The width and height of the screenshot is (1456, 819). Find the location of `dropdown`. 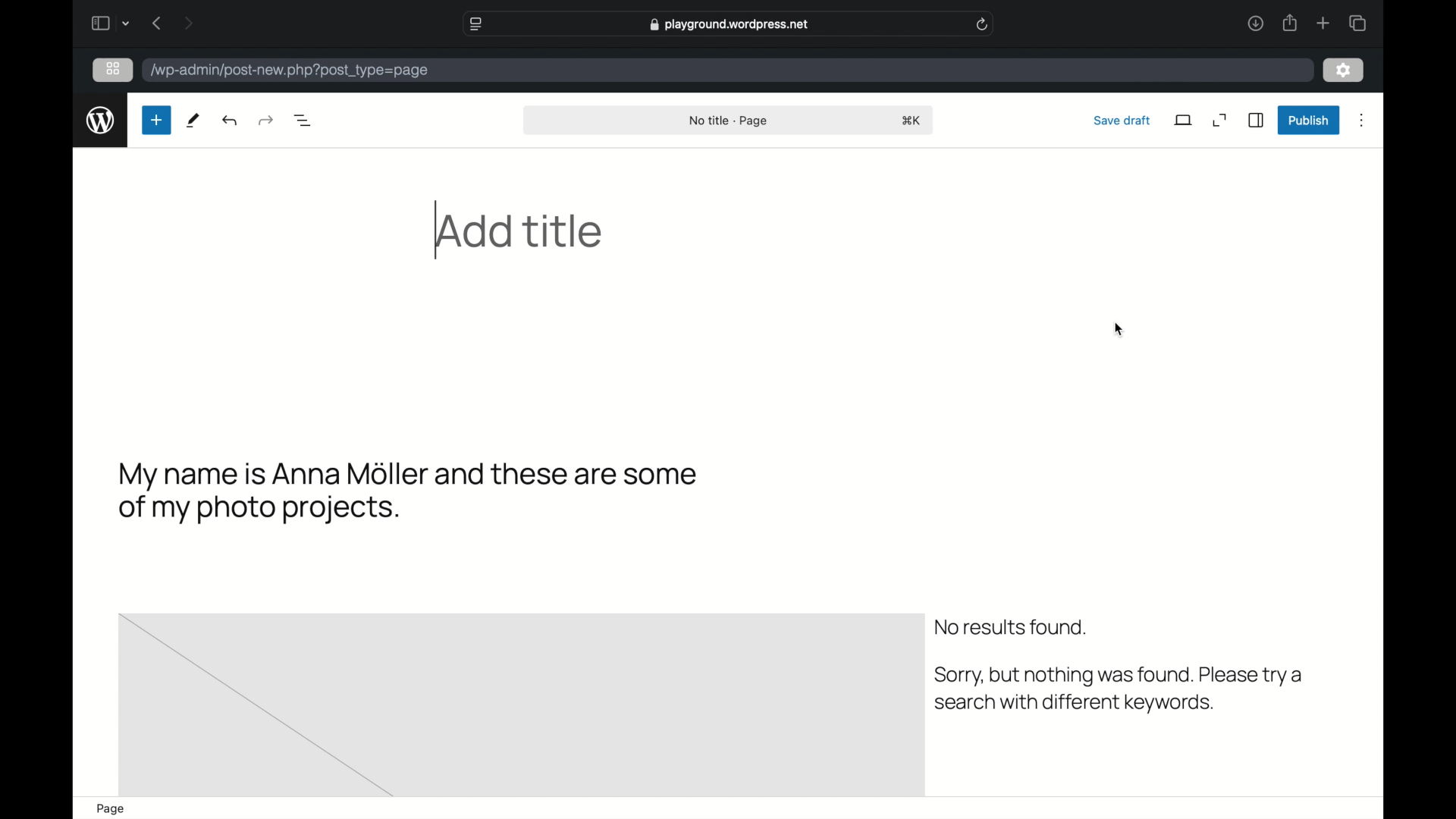

dropdown is located at coordinates (127, 24).